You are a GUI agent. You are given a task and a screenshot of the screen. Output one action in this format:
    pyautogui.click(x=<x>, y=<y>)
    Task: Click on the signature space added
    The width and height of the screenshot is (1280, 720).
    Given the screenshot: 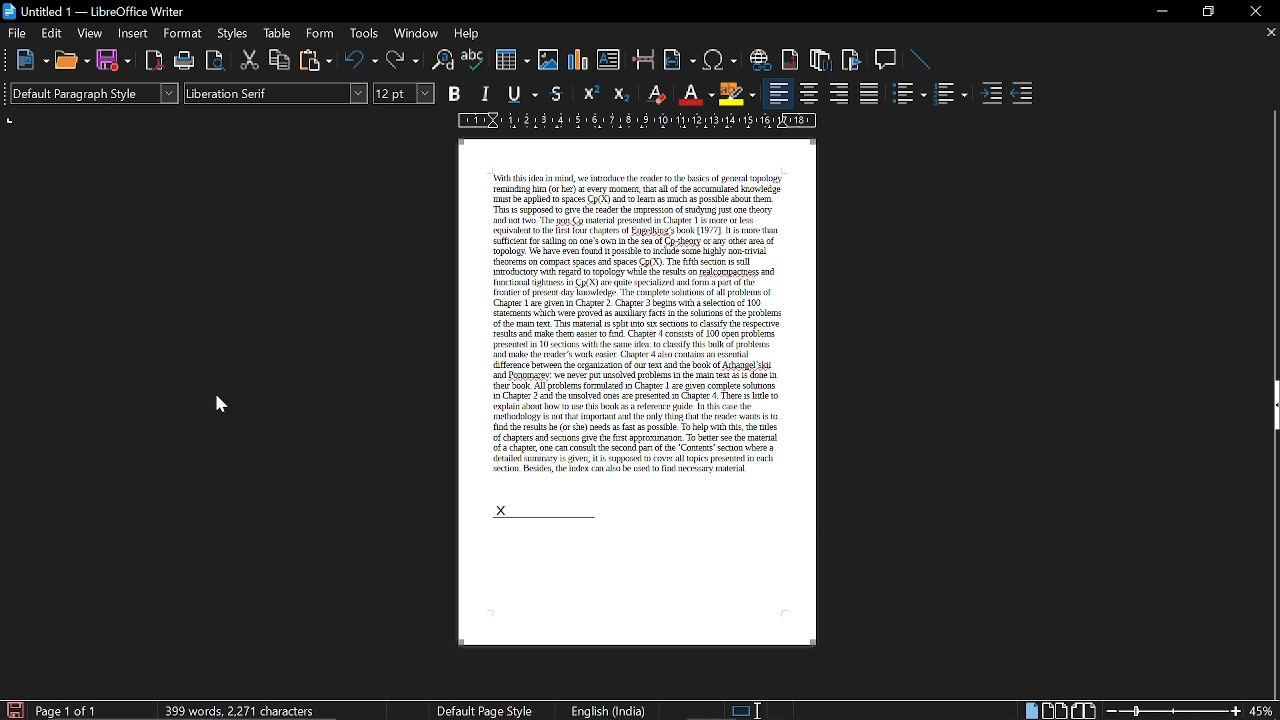 What is the action you would take?
    pyautogui.click(x=539, y=511)
    